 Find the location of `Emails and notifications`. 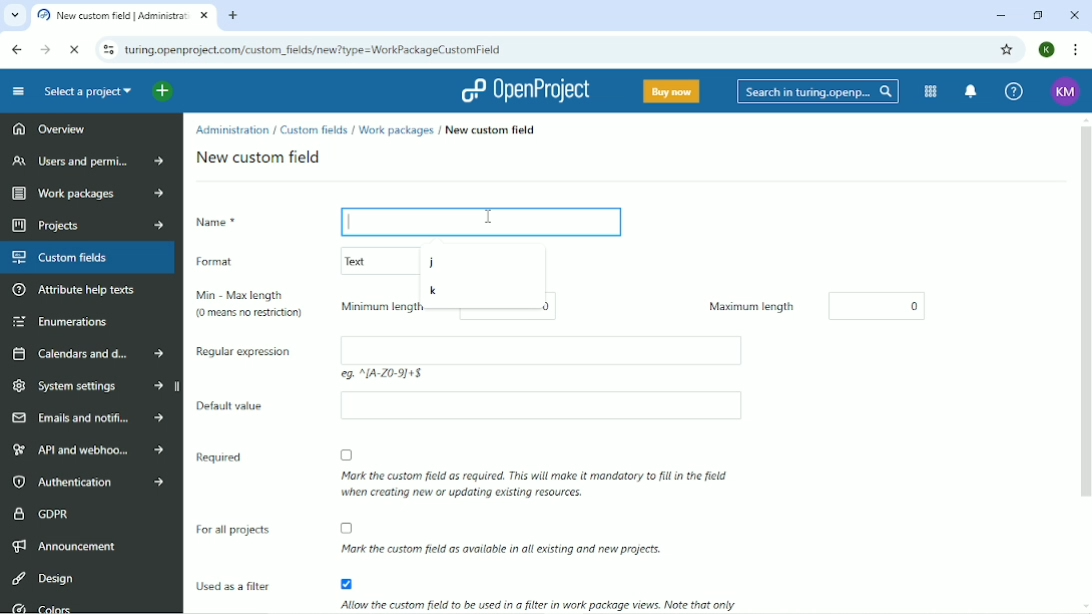

Emails and notifications is located at coordinates (87, 418).